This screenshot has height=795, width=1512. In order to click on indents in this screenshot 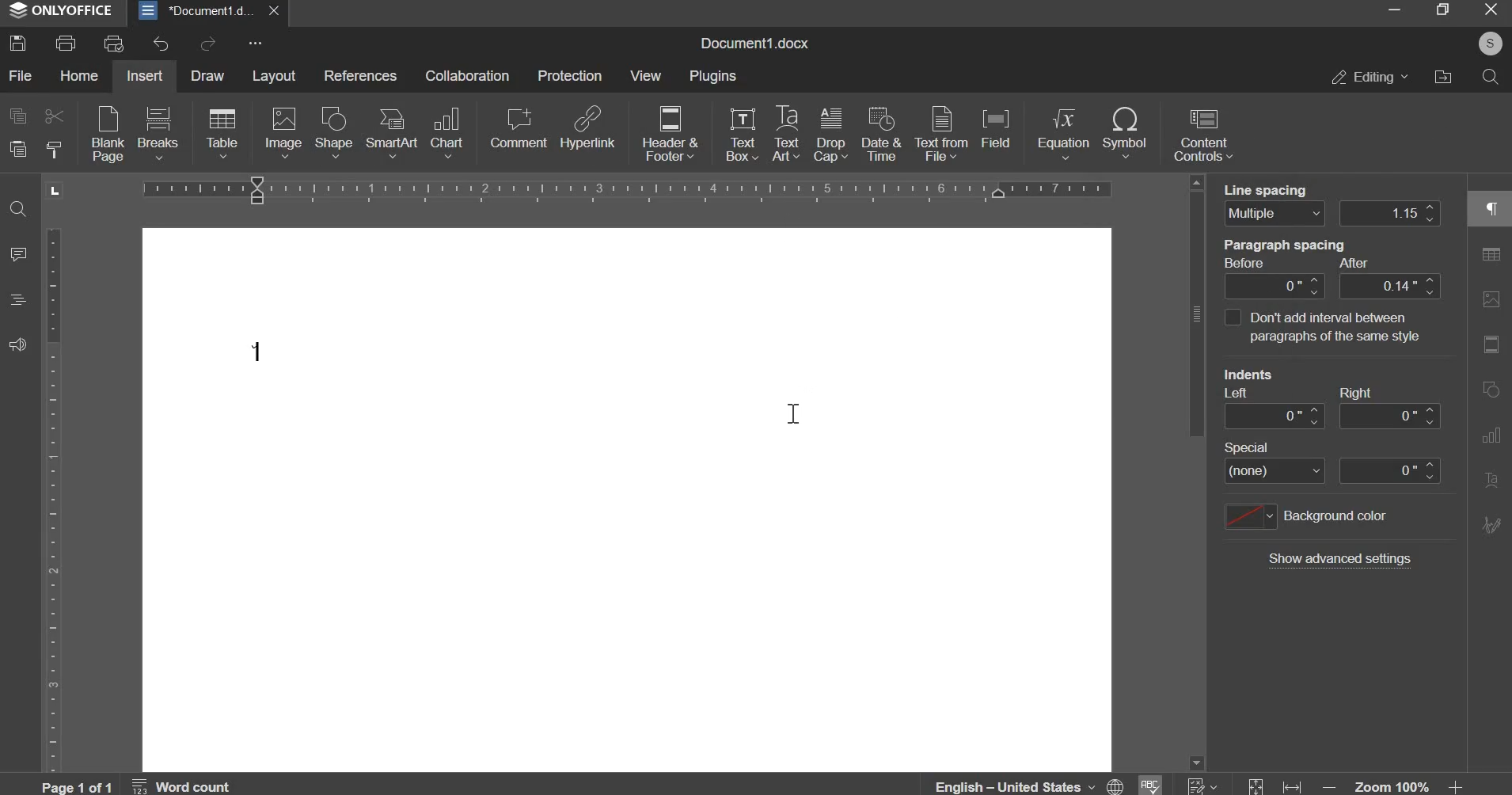, I will do `click(1309, 381)`.